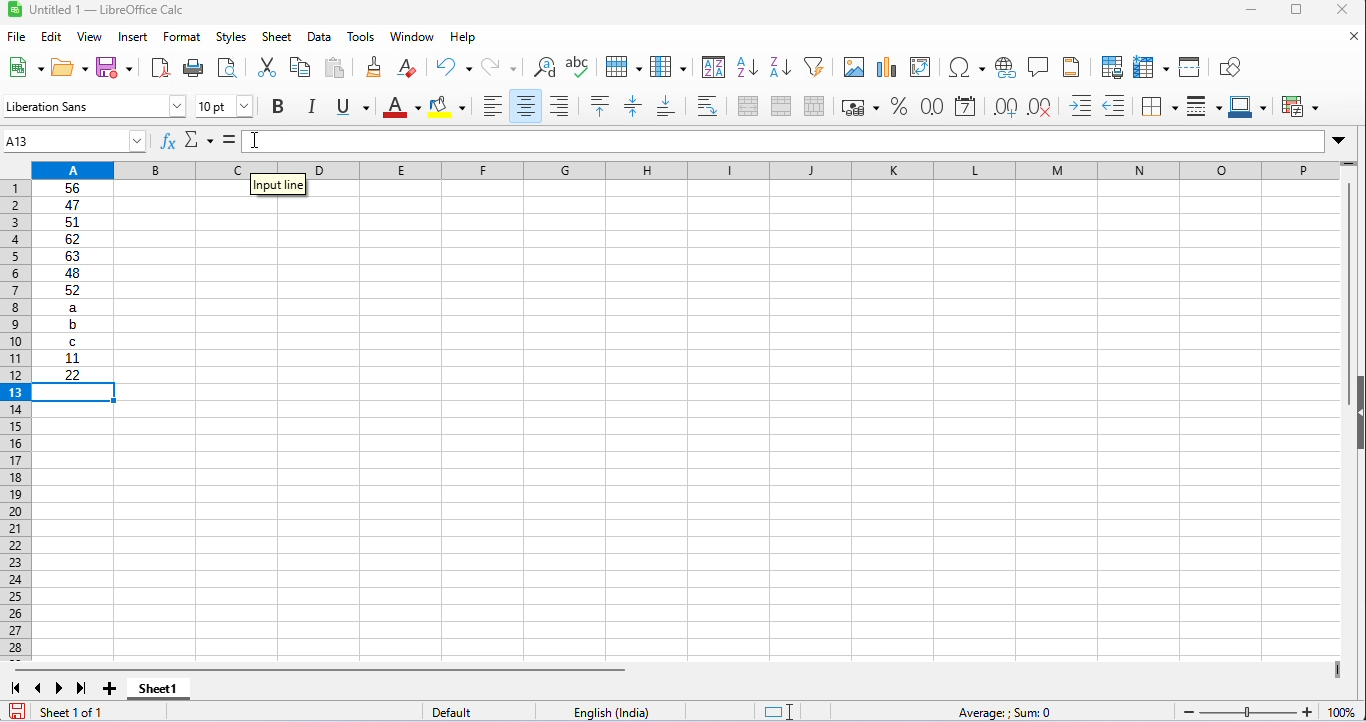 The image size is (1366, 722). Describe the element at coordinates (778, 66) in the screenshot. I see `sort descending` at that location.